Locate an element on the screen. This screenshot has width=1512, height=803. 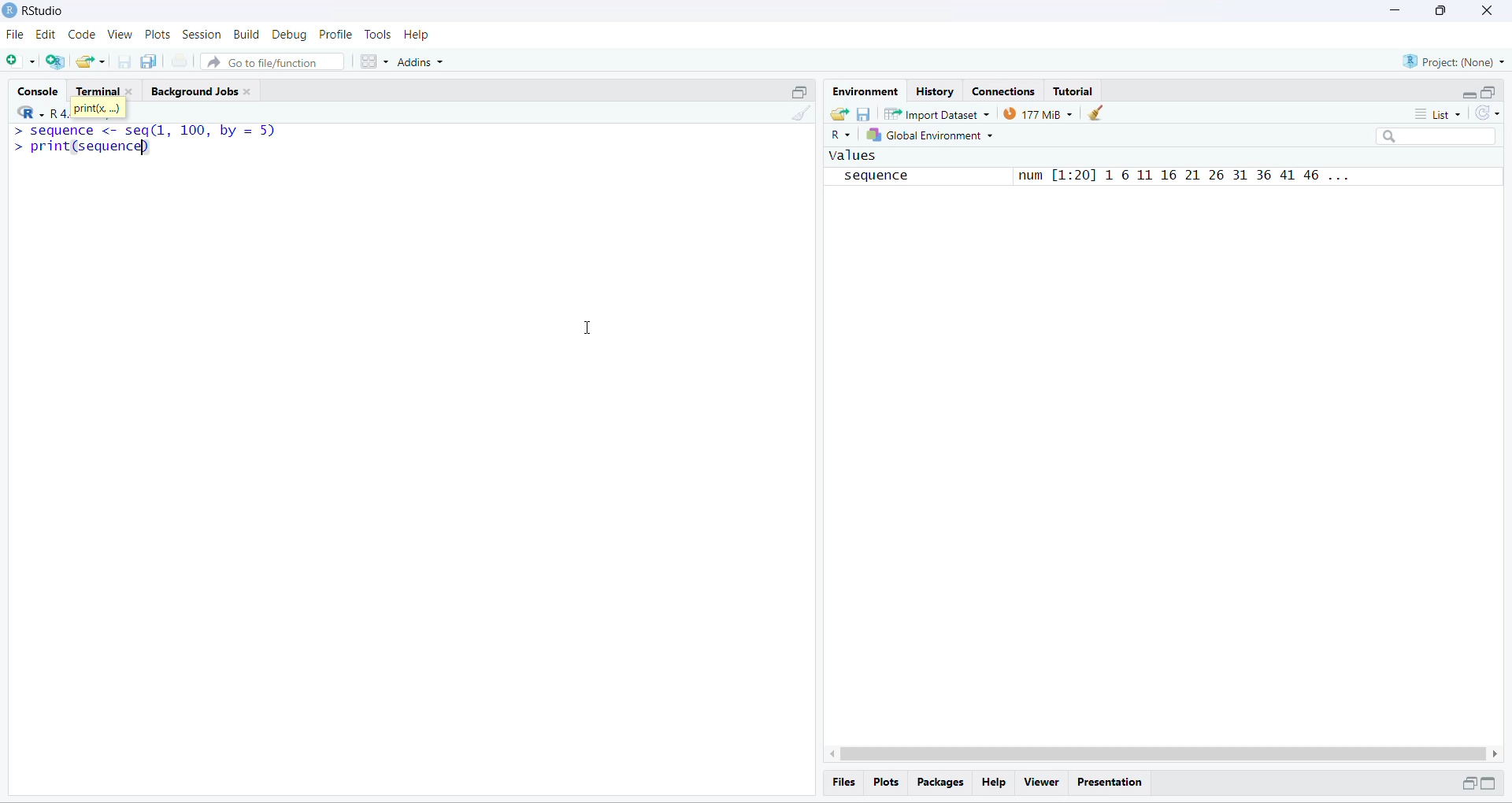
help is located at coordinates (416, 35).